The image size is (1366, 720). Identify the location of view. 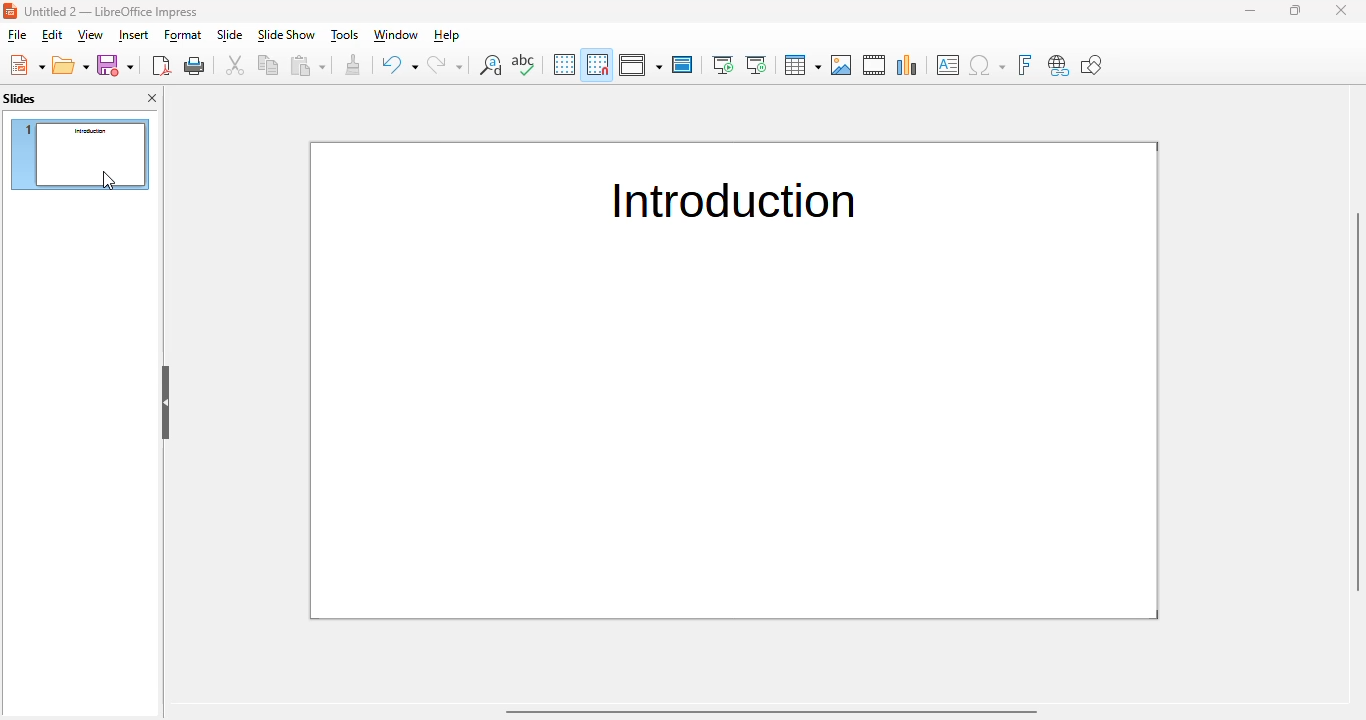
(90, 35).